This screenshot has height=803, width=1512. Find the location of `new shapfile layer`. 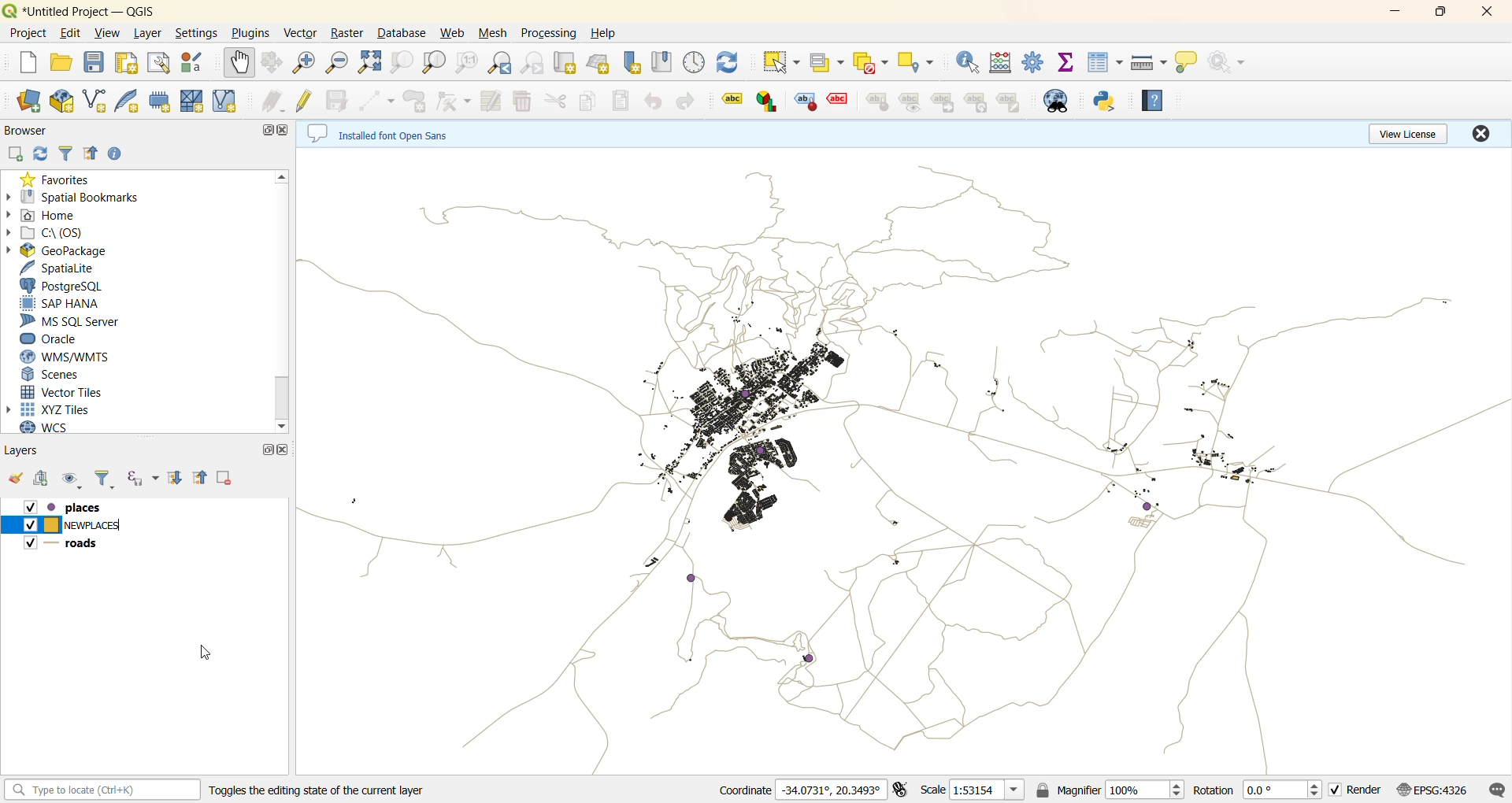

new shapfile layer is located at coordinates (95, 103).